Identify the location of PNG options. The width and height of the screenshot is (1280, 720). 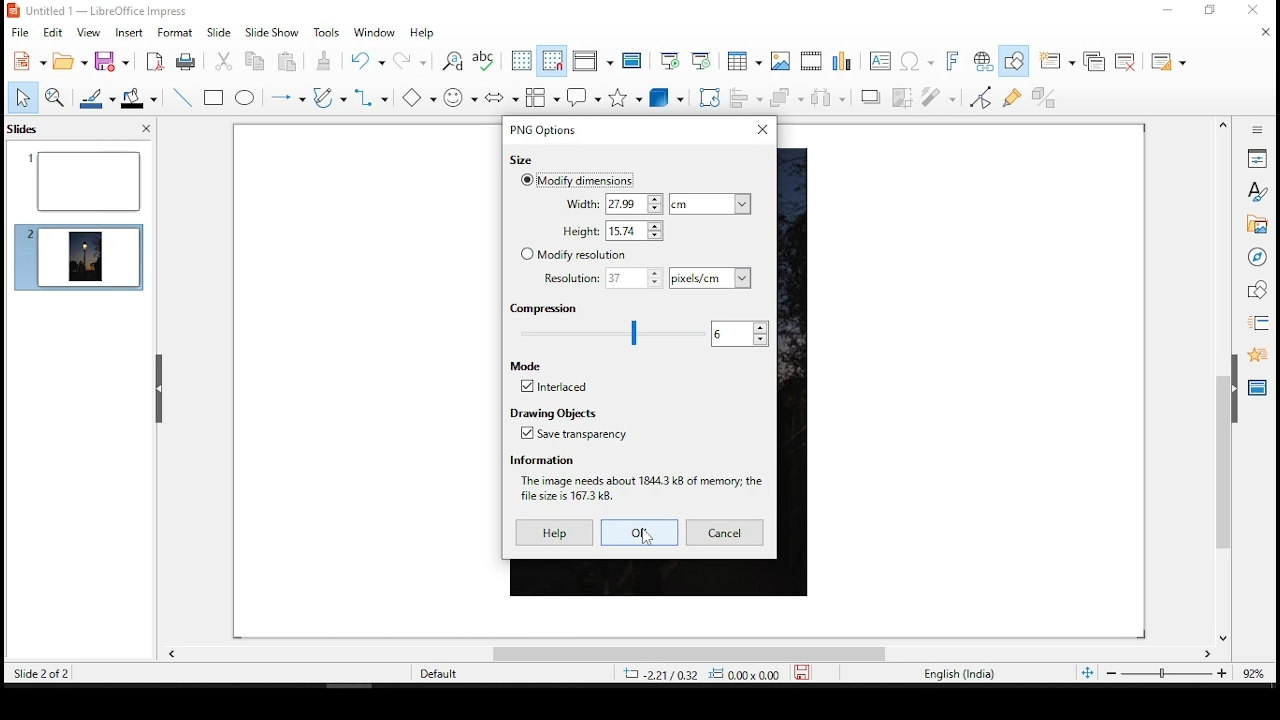
(542, 129).